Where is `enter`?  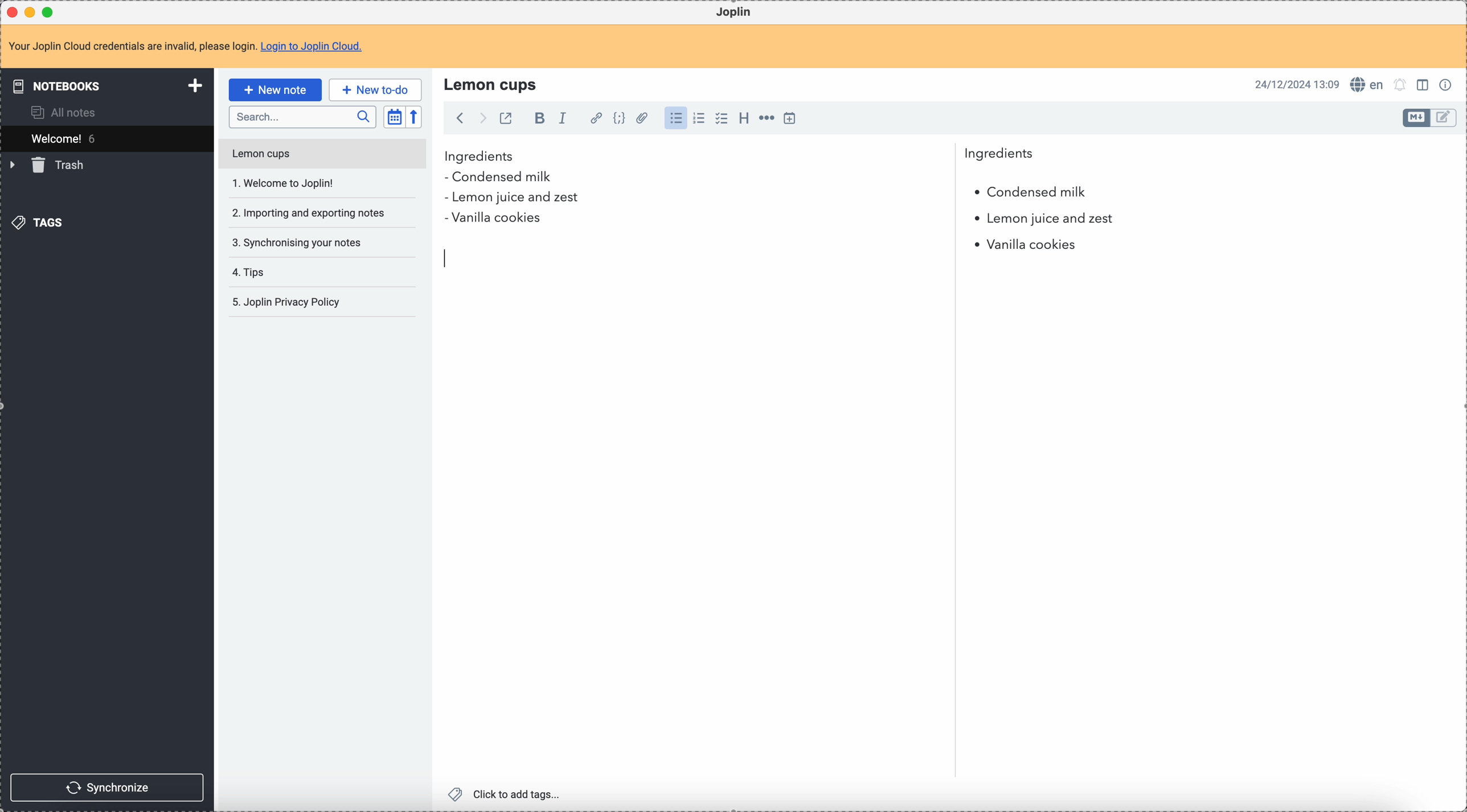 enter is located at coordinates (446, 259).